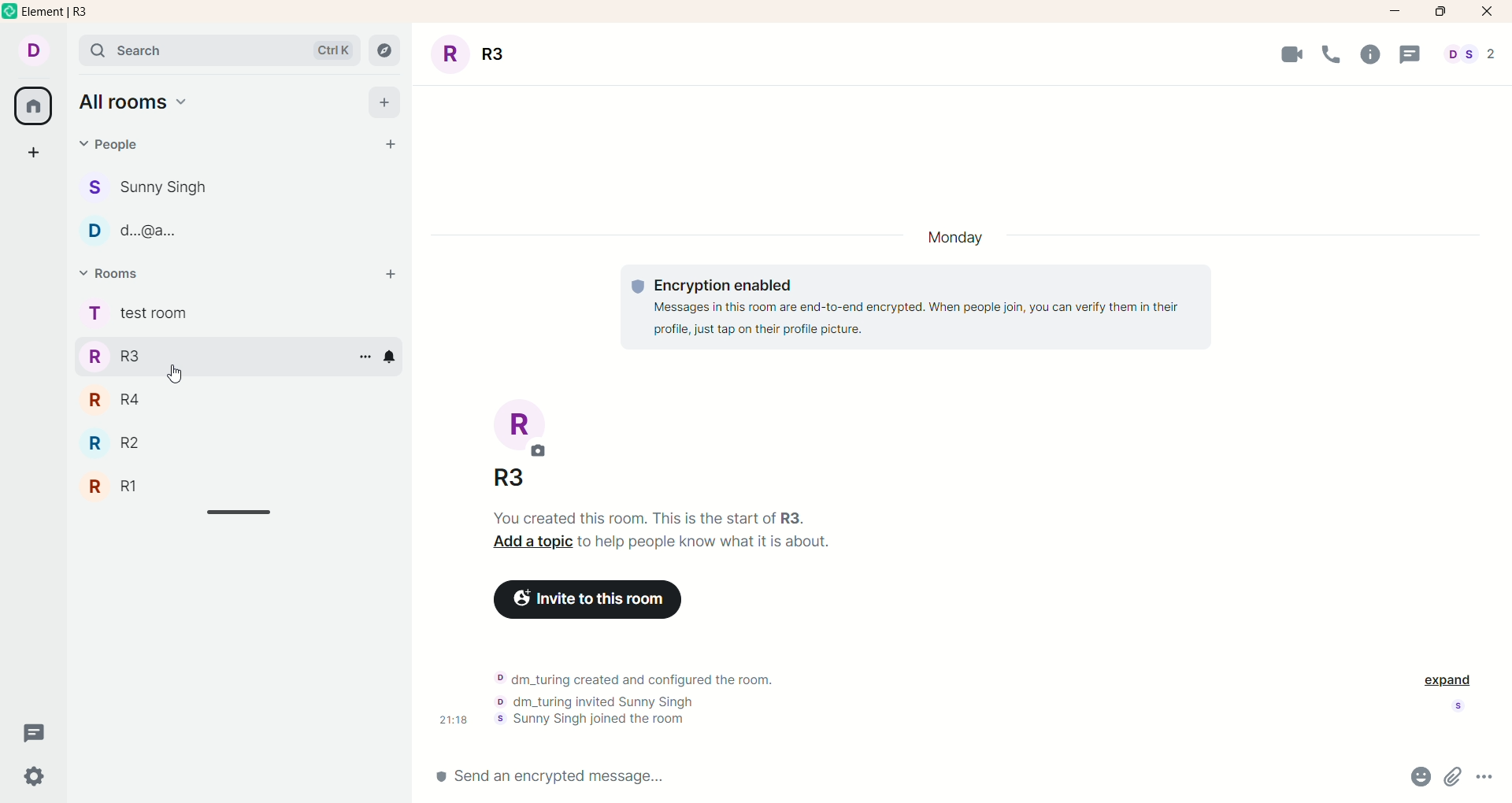 The image size is (1512, 803). What do you see at coordinates (1333, 52) in the screenshot?
I see `Call` at bounding box center [1333, 52].